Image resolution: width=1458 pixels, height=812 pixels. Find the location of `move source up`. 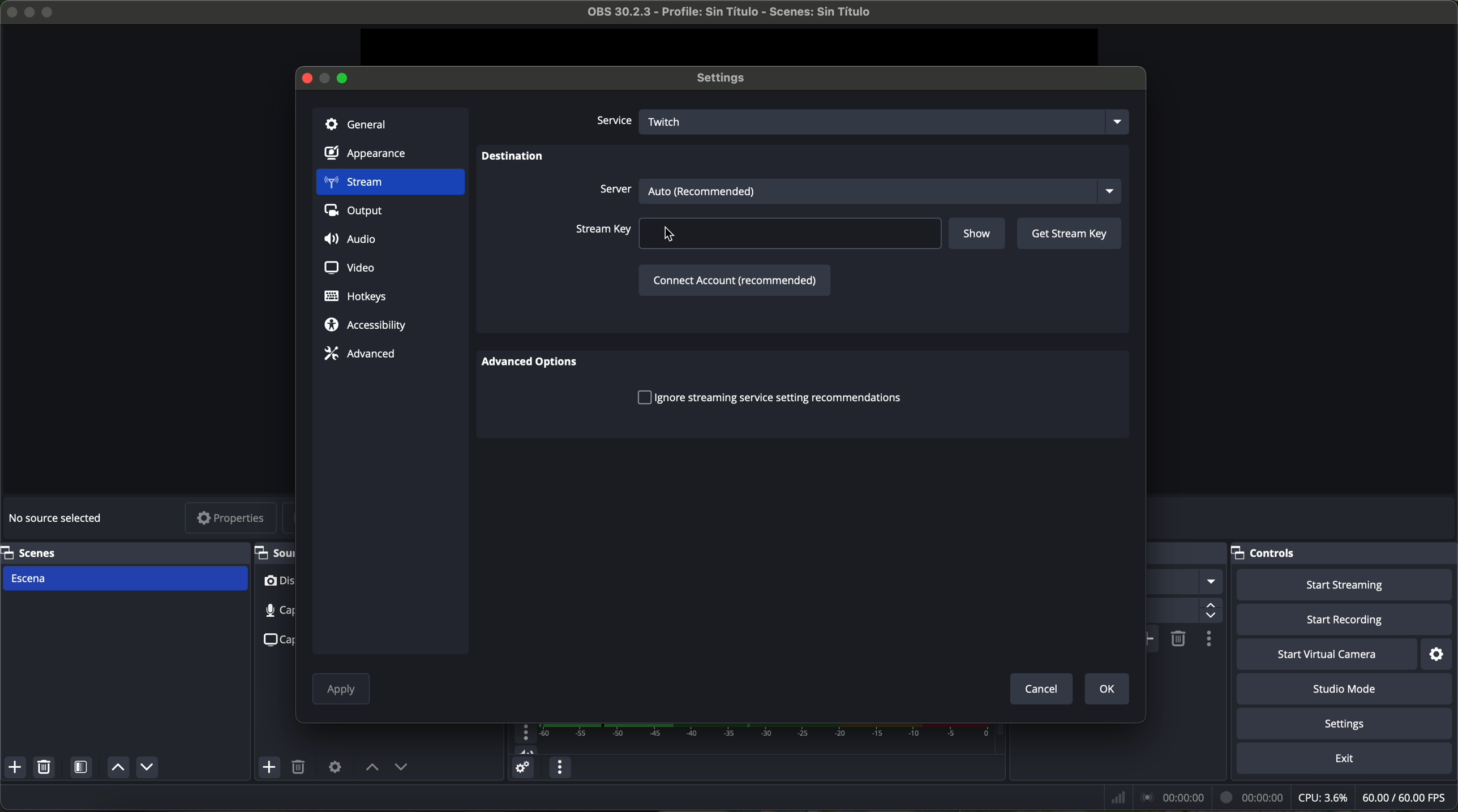

move source up is located at coordinates (116, 768).